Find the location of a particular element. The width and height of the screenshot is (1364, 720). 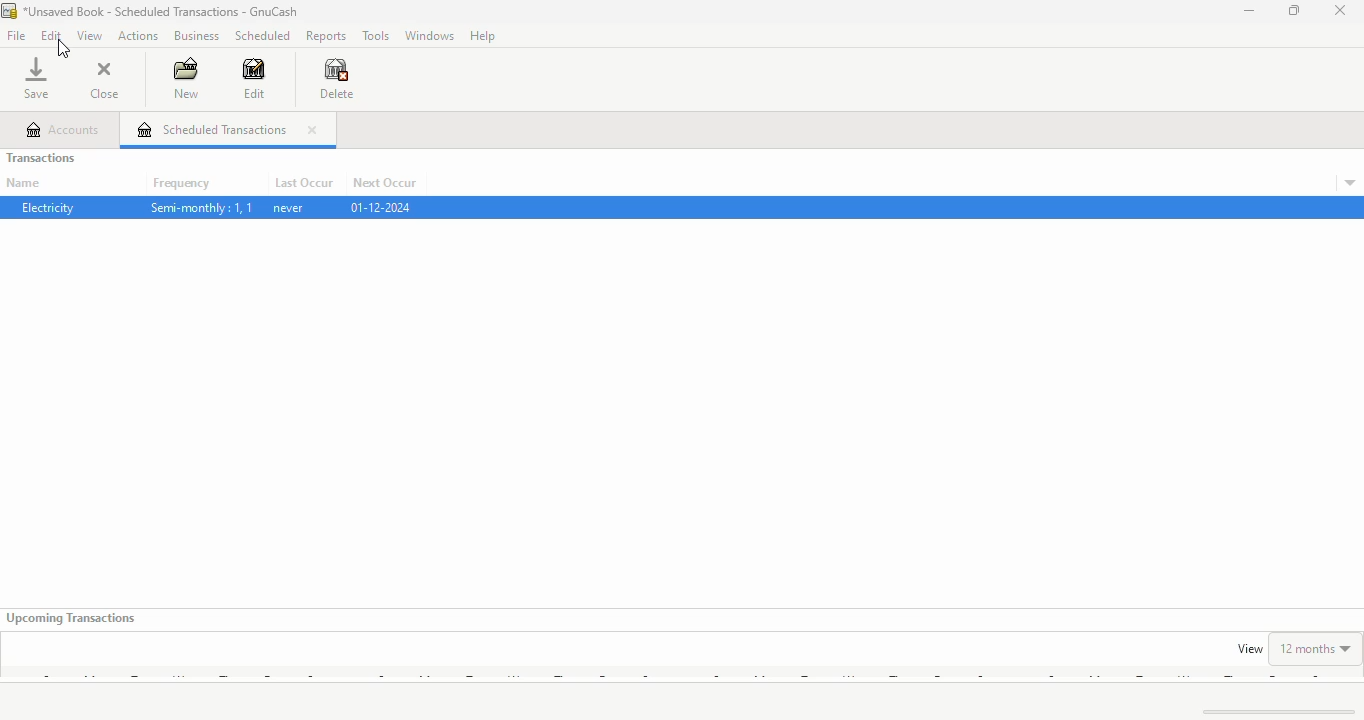

01-12-2024 is located at coordinates (379, 207).